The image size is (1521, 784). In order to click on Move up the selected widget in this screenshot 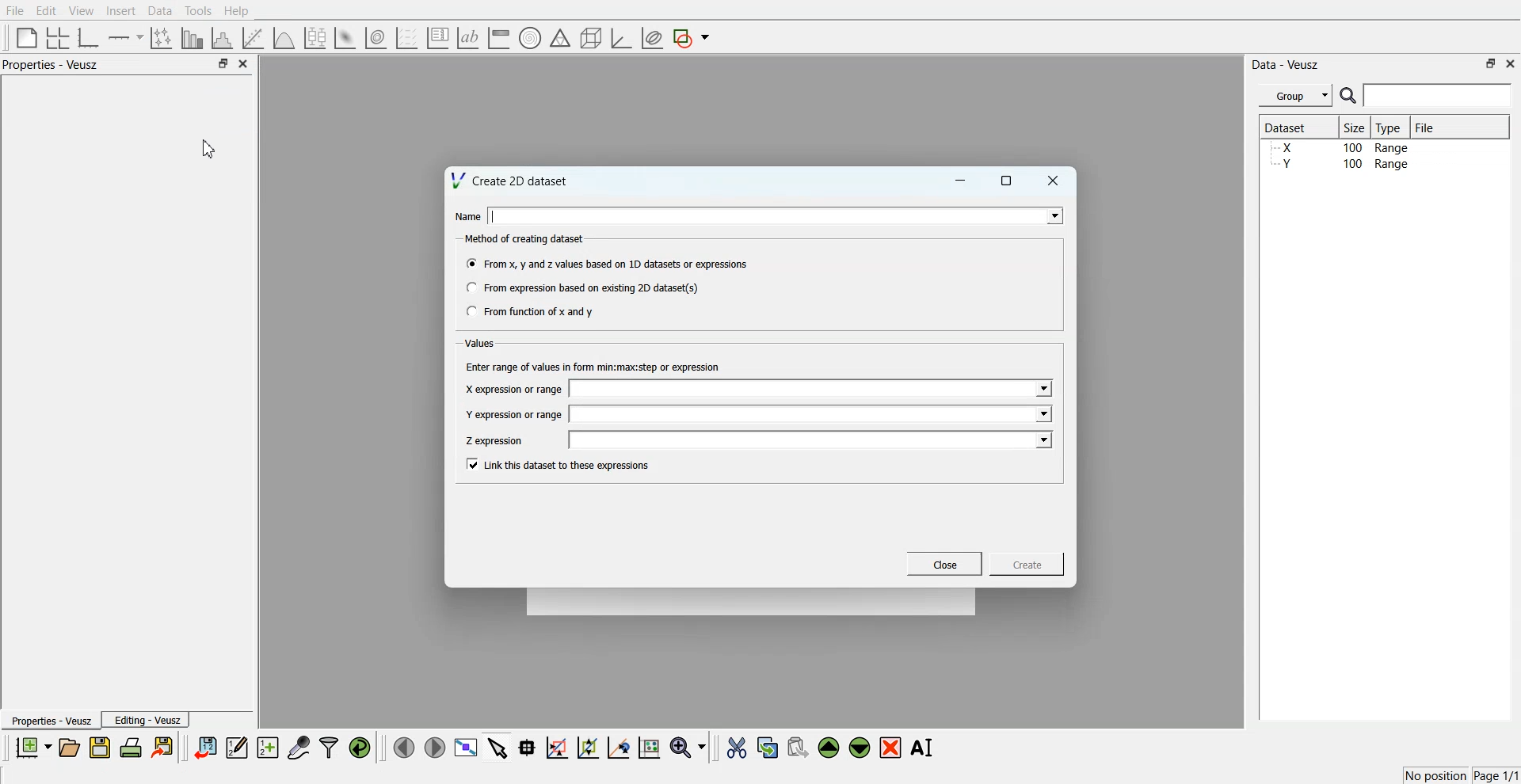, I will do `click(829, 748)`.